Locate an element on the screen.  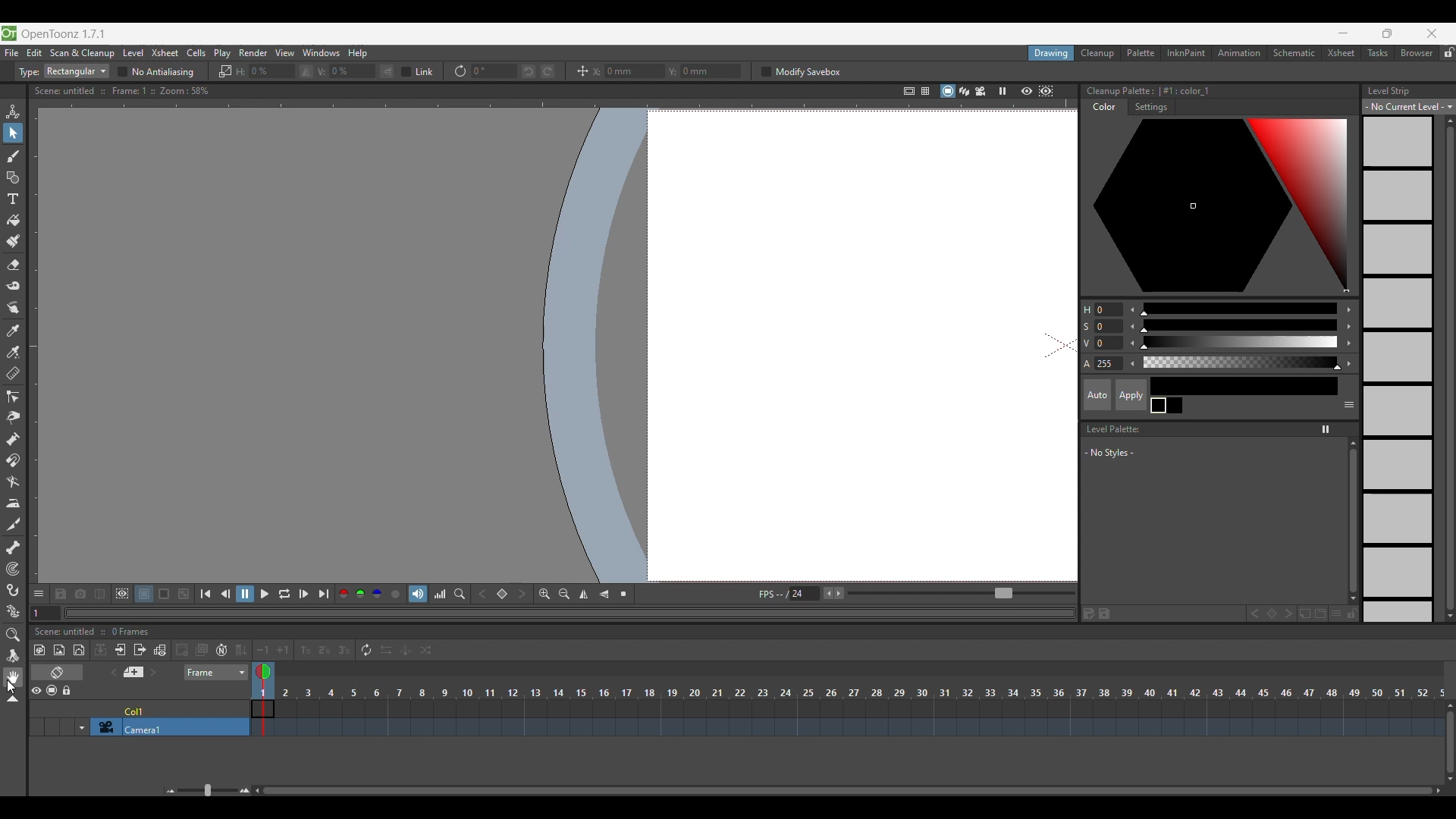
Horizontal slide bar is located at coordinates (846, 791).